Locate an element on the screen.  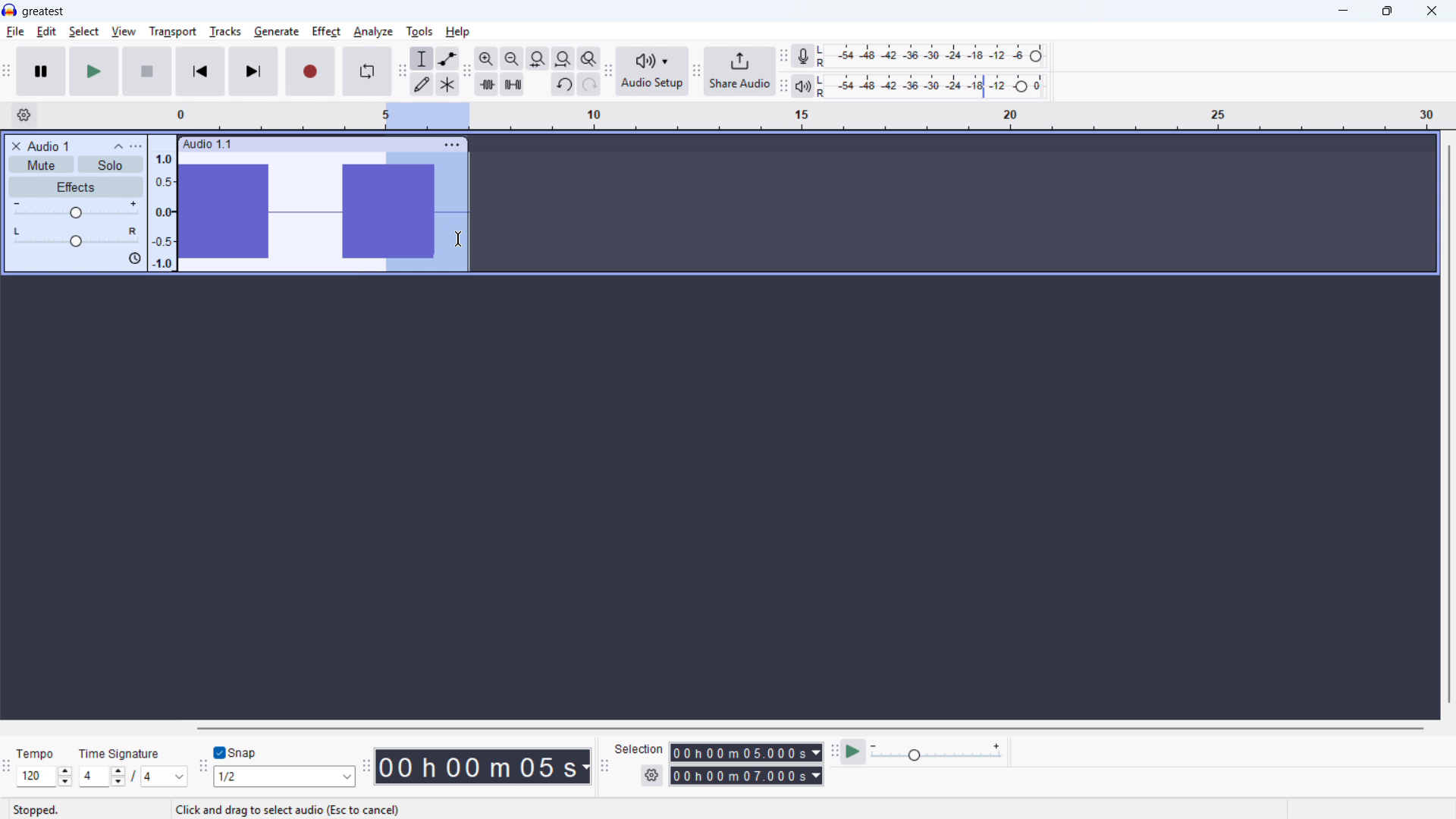
Fit selection to width  is located at coordinates (538, 59).